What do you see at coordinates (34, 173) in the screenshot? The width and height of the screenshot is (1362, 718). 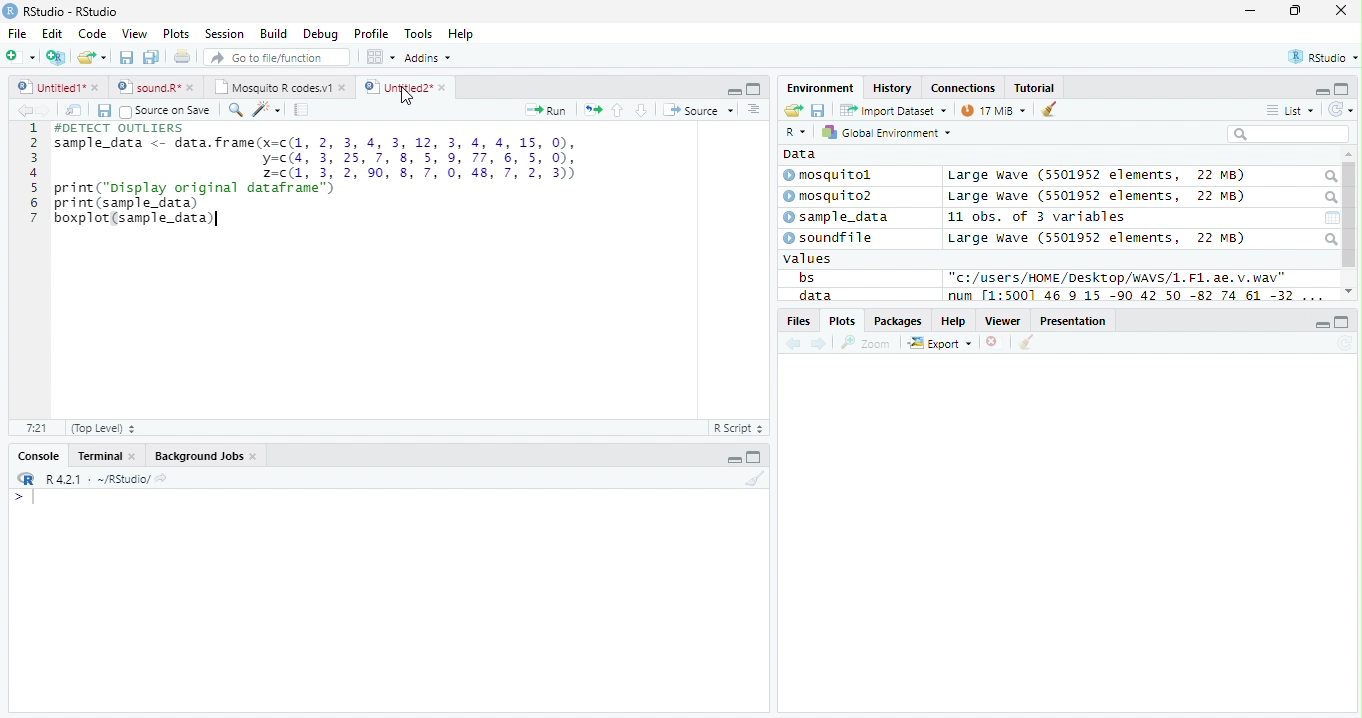 I see `Numbering line` at bounding box center [34, 173].